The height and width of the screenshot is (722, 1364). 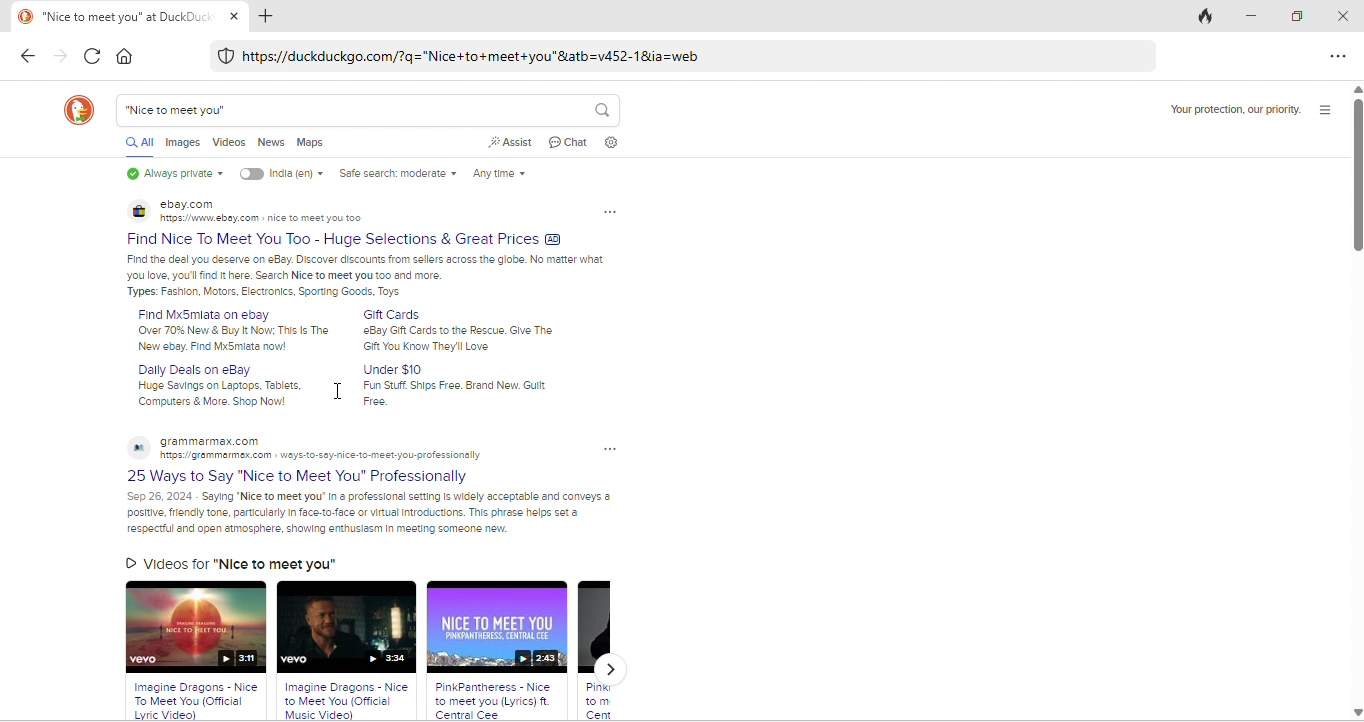 What do you see at coordinates (178, 110) in the screenshot?
I see `Nice to meet you"` at bounding box center [178, 110].